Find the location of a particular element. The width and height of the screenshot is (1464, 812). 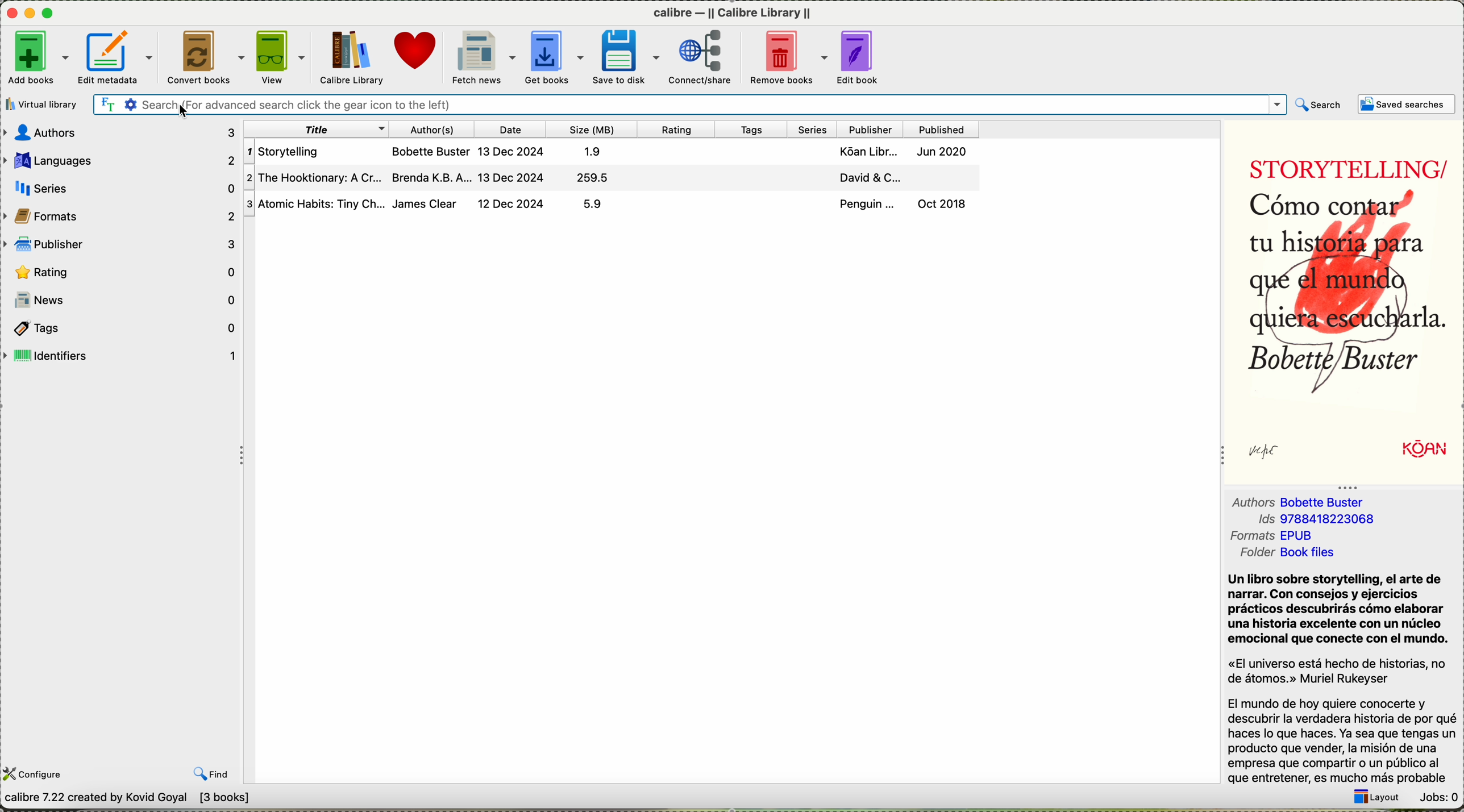

13 Dec 2024 is located at coordinates (514, 150).